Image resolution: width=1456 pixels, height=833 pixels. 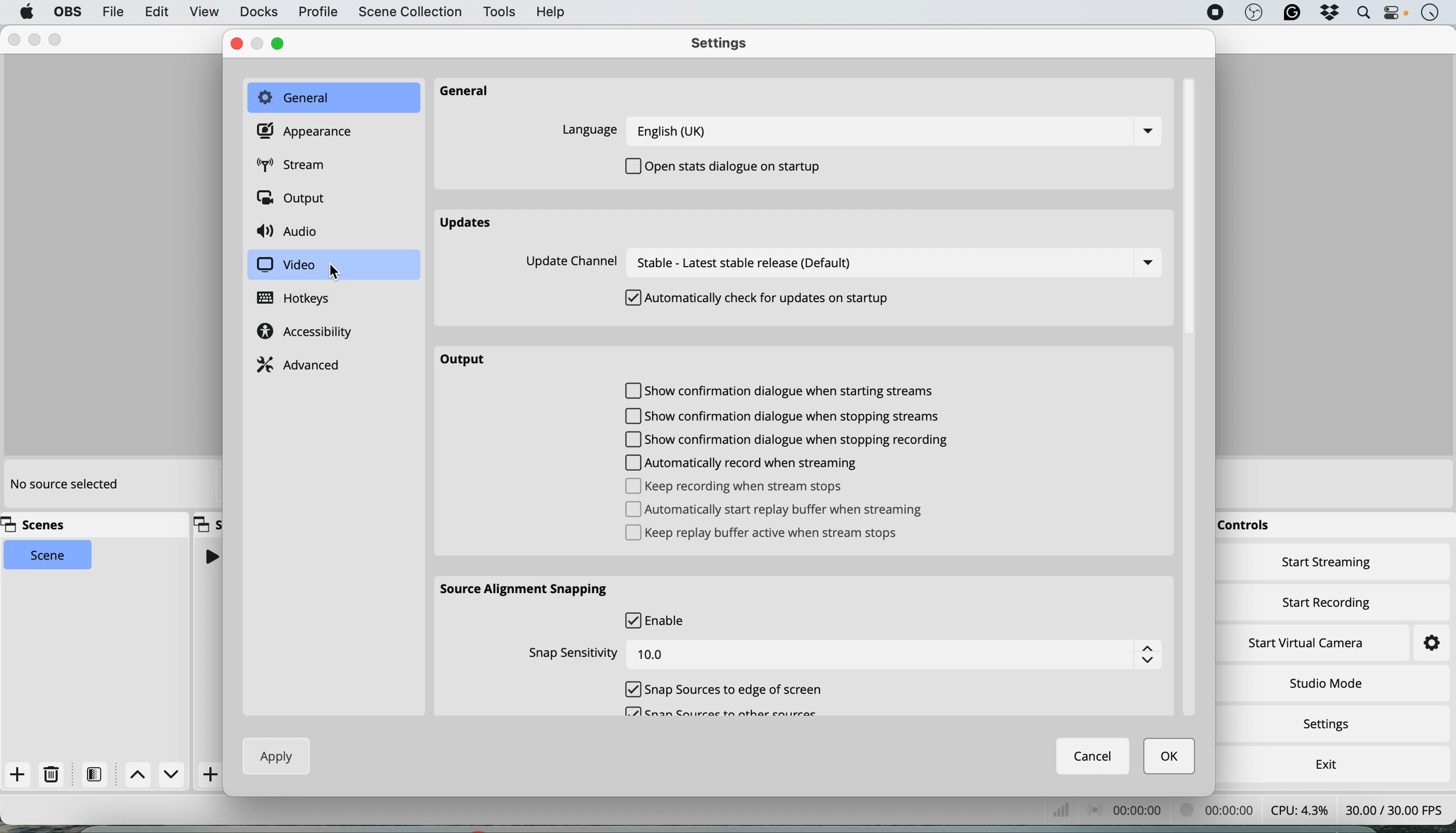 What do you see at coordinates (1430, 14) in the screenshot?
I see `time` at bounding box center [1430, 14].